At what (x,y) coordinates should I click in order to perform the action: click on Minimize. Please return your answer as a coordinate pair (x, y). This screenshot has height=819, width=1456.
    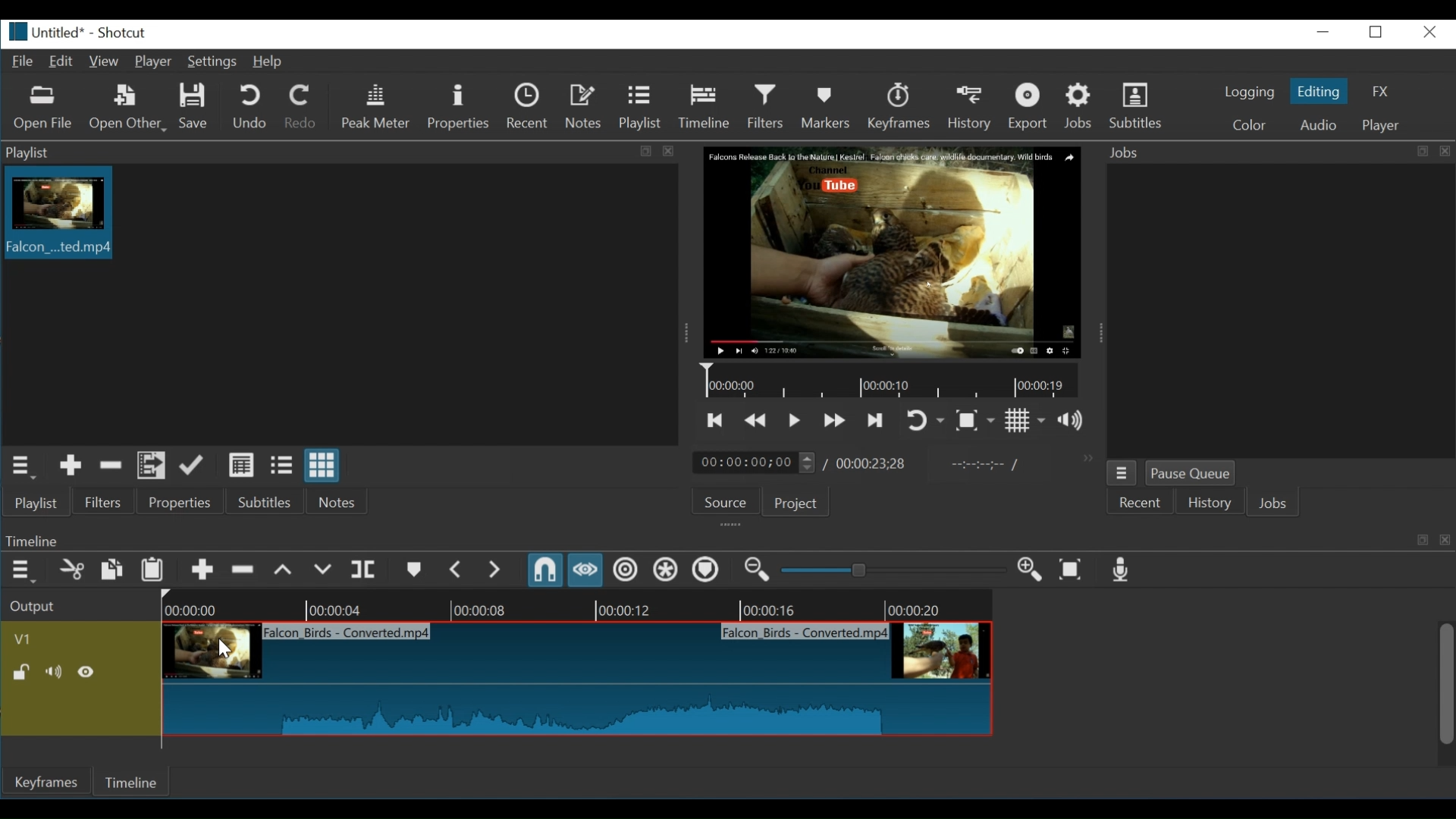
    Looking at the image, I should click on (1325, 32).